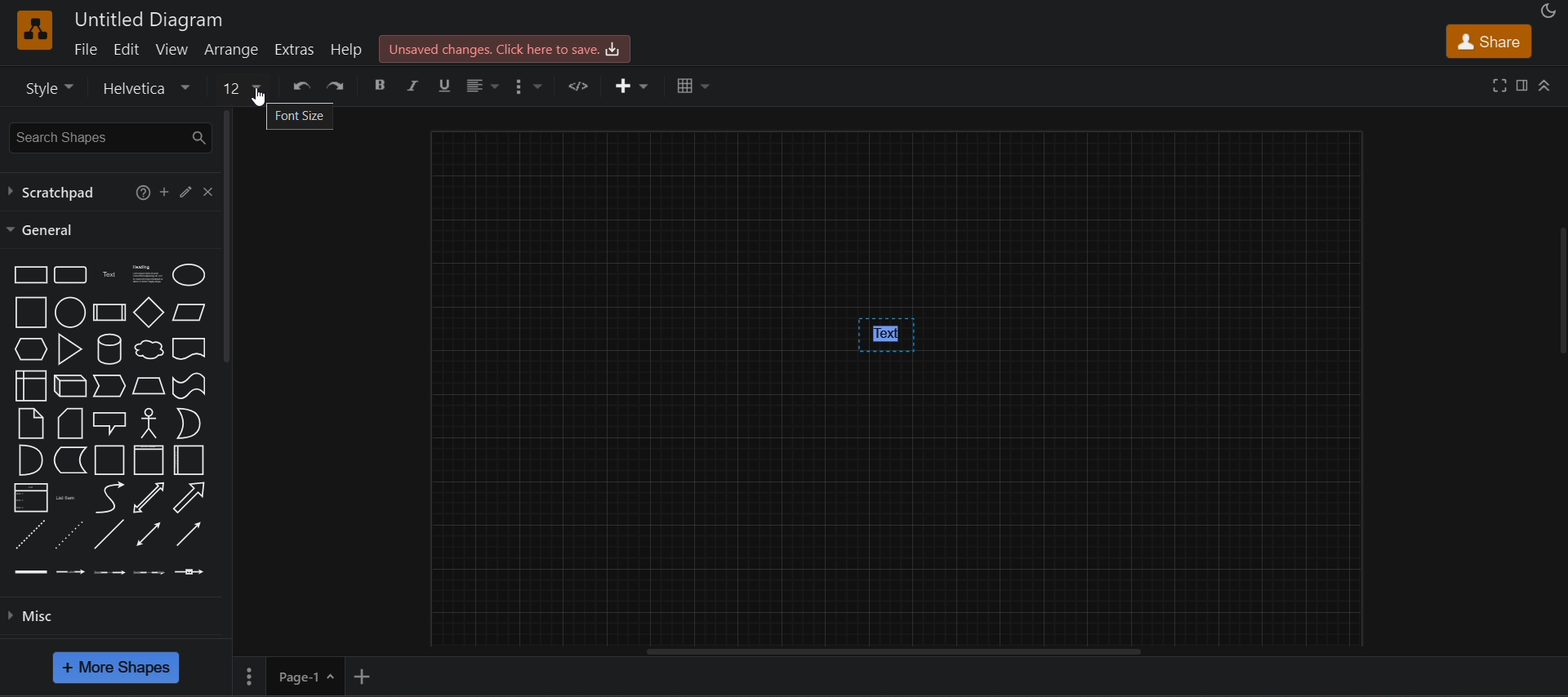 This screenshot has width=1568, height=697. Describe the element at coordinates (149, 385) in the screenshot. I see `Trapezoid` at that location.